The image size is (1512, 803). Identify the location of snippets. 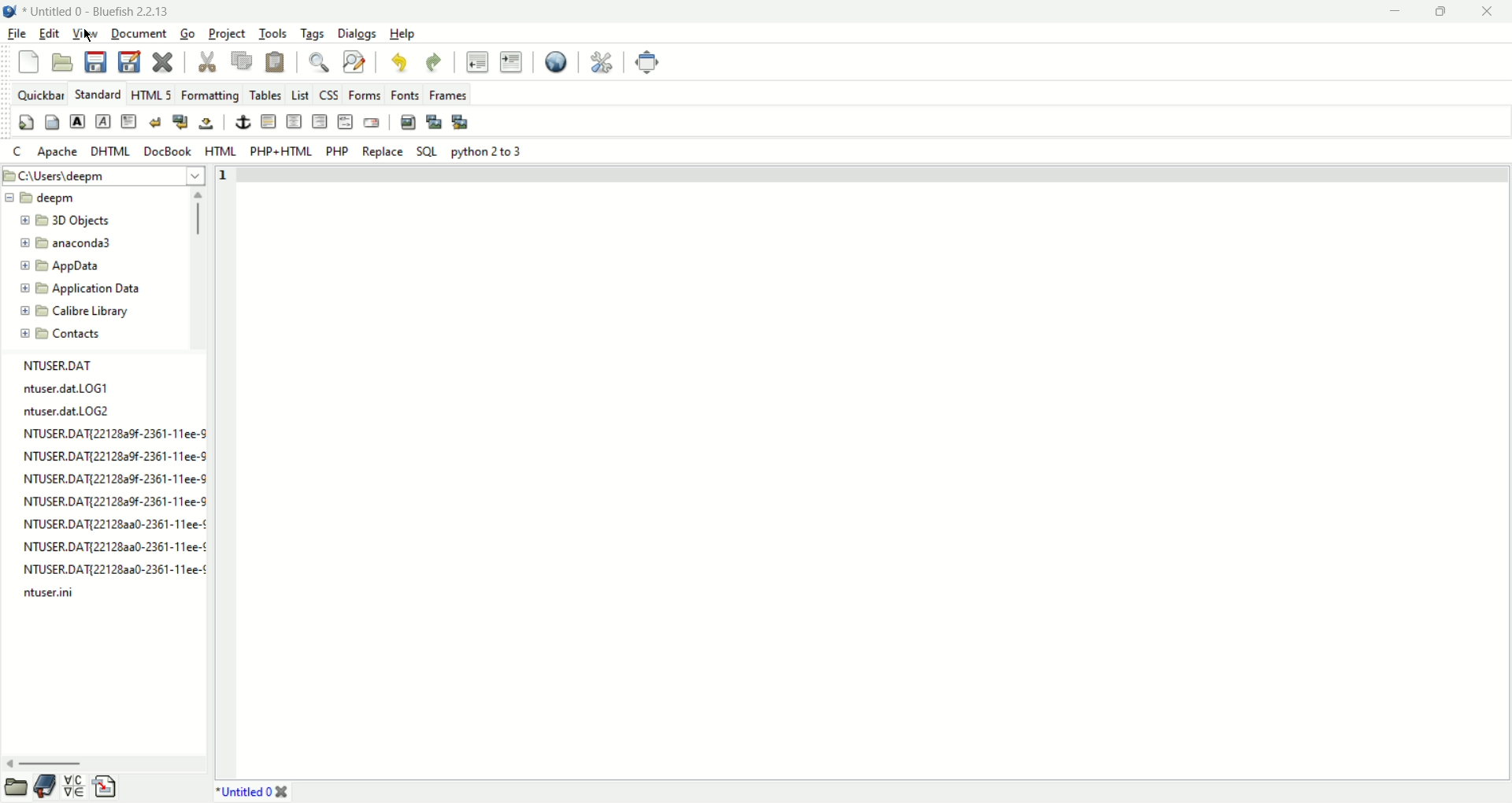
(108, 789).